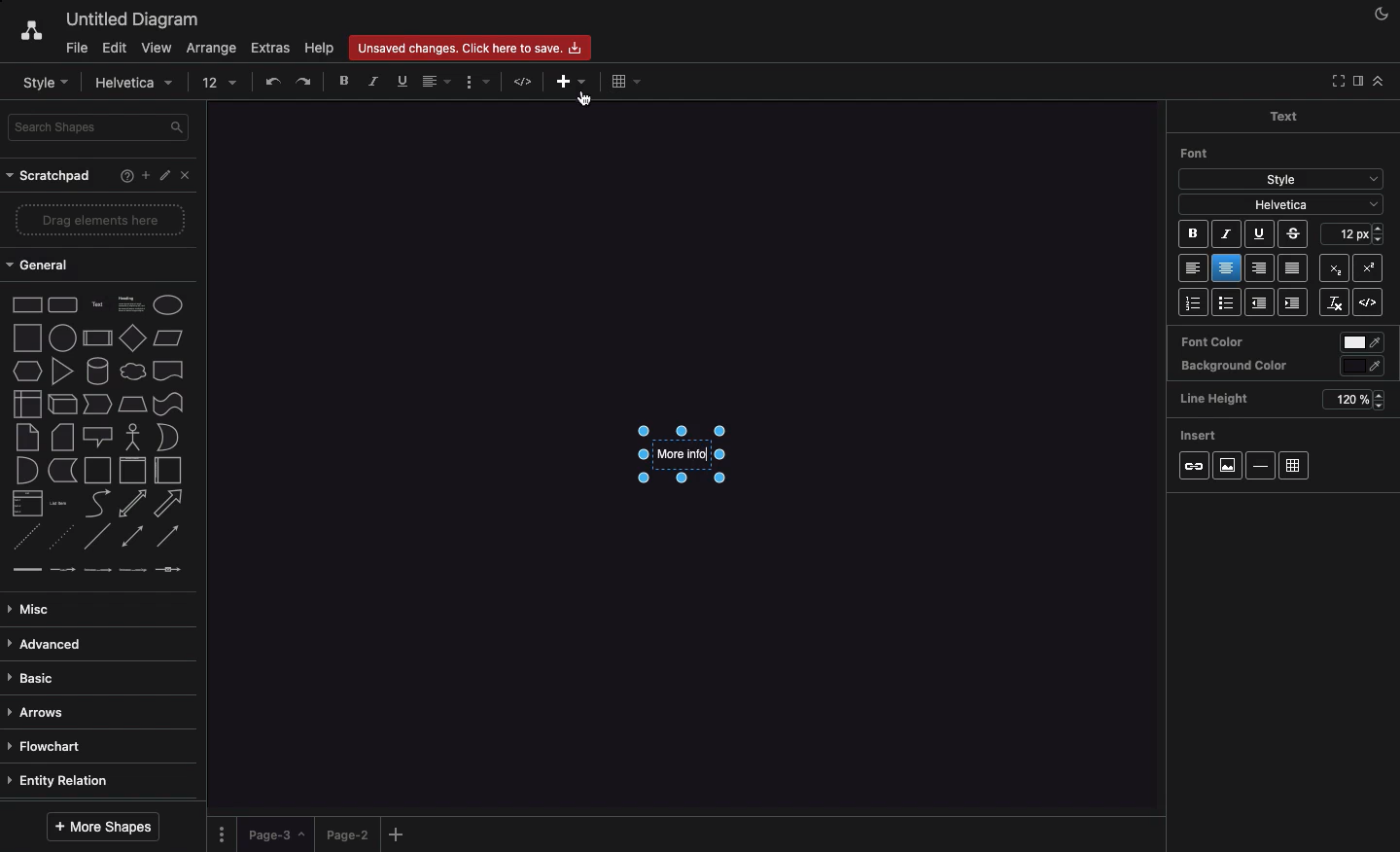  Describe the element at coordinates (137, 84) in the screenshot. I see `Helvetica` at that location.